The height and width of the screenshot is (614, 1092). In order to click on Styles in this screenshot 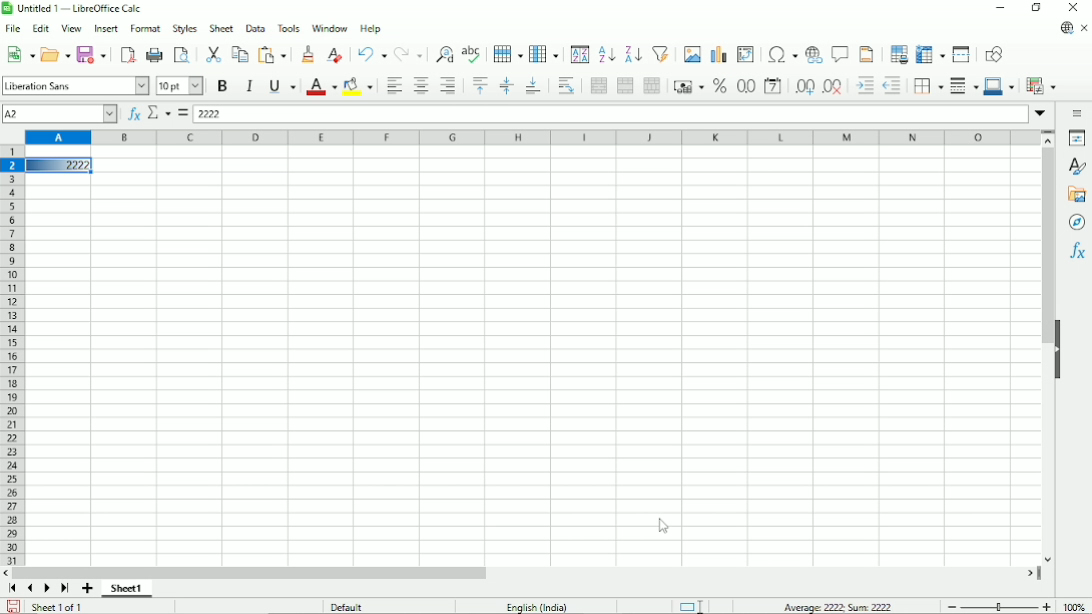, I will do `click(1079, 167)`.